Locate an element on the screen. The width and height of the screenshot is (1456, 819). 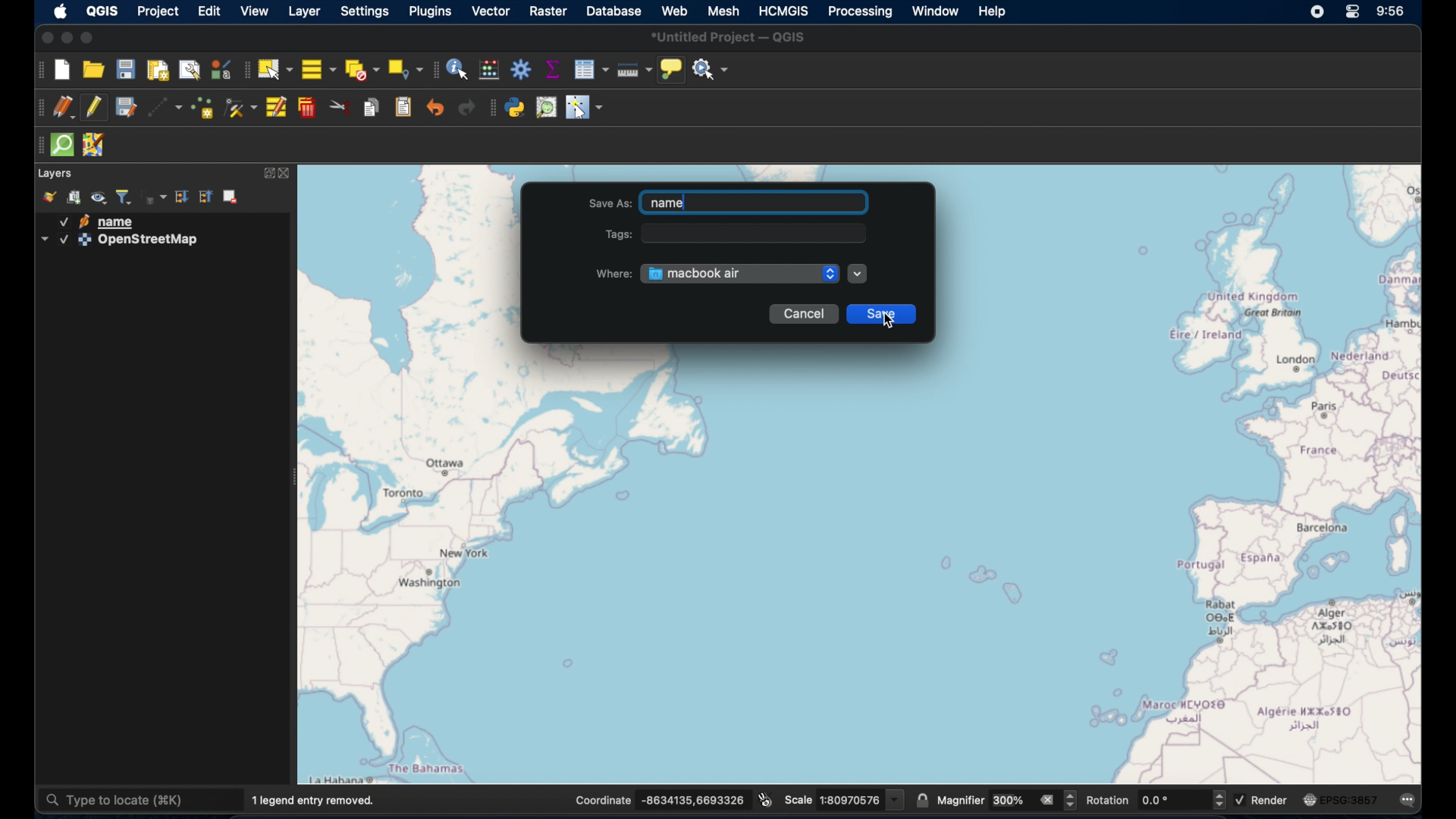
expand is located at coordinates (265, 174).